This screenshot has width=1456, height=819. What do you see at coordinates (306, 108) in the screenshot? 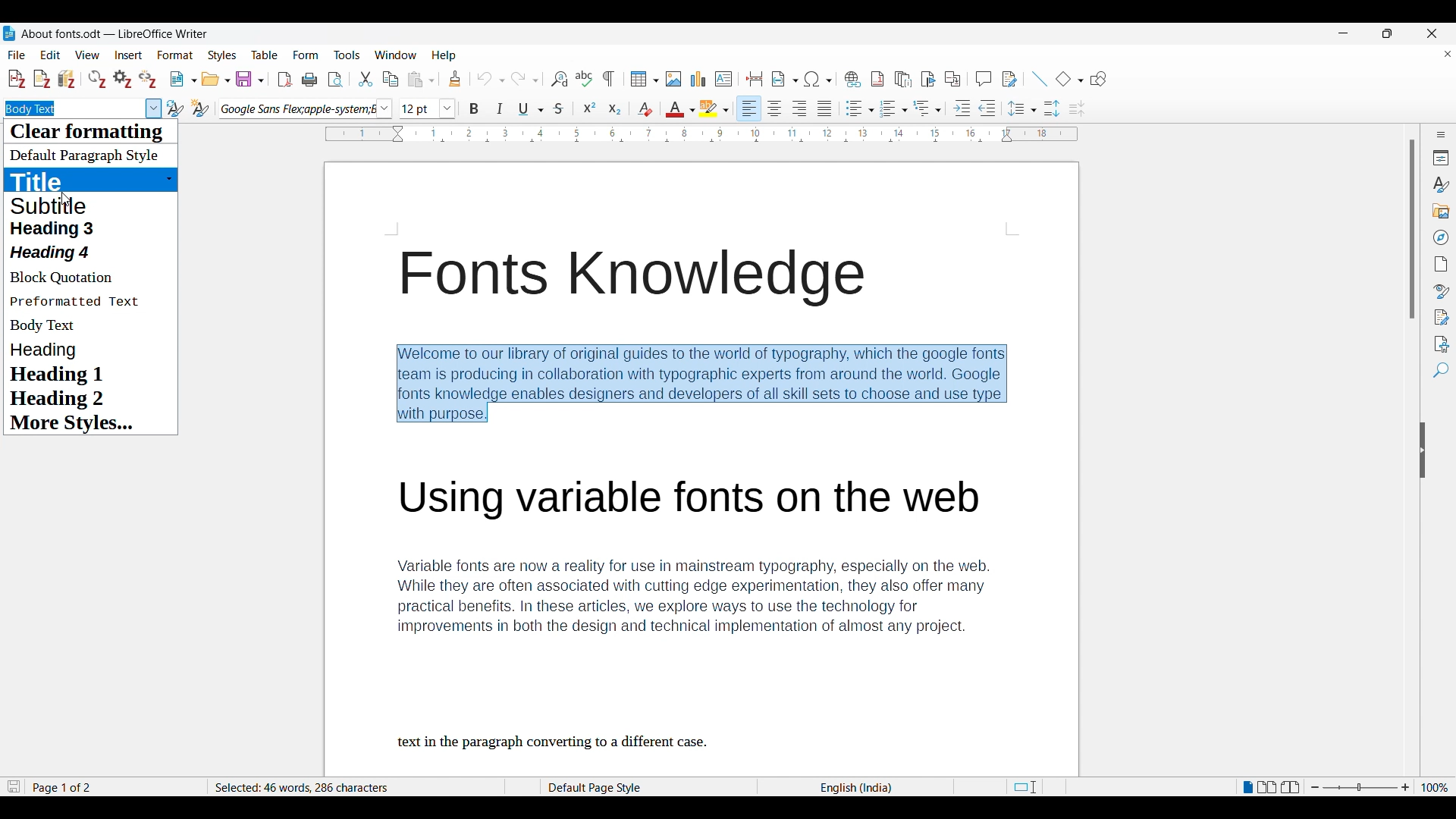
I see `Font options` at bounding box center [306, 108].